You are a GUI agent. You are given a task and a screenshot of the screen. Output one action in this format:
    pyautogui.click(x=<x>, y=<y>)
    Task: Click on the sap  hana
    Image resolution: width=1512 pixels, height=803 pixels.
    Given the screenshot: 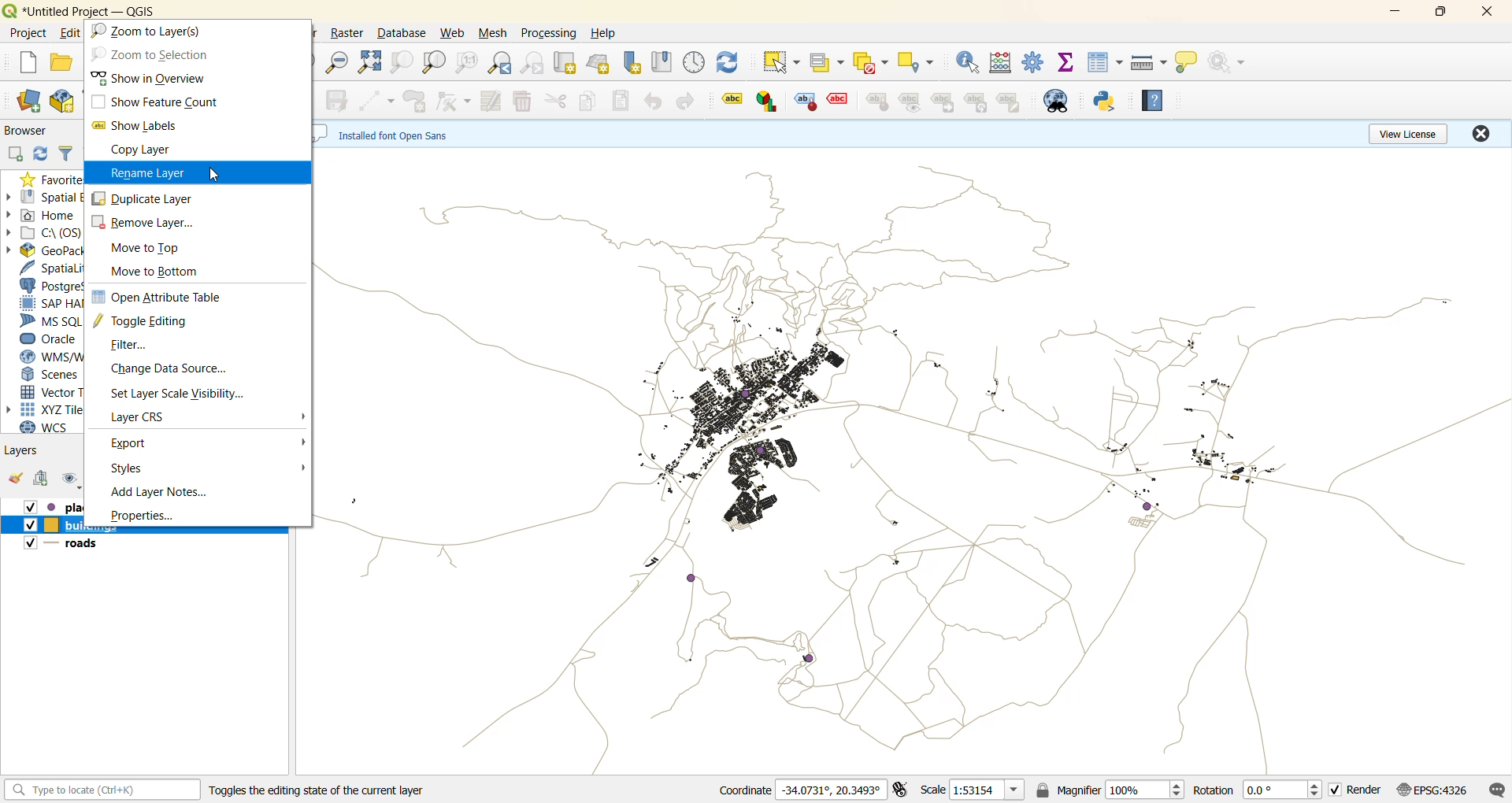 What is the action you would take?
    pyautogui.click(x=52, y=305)
    